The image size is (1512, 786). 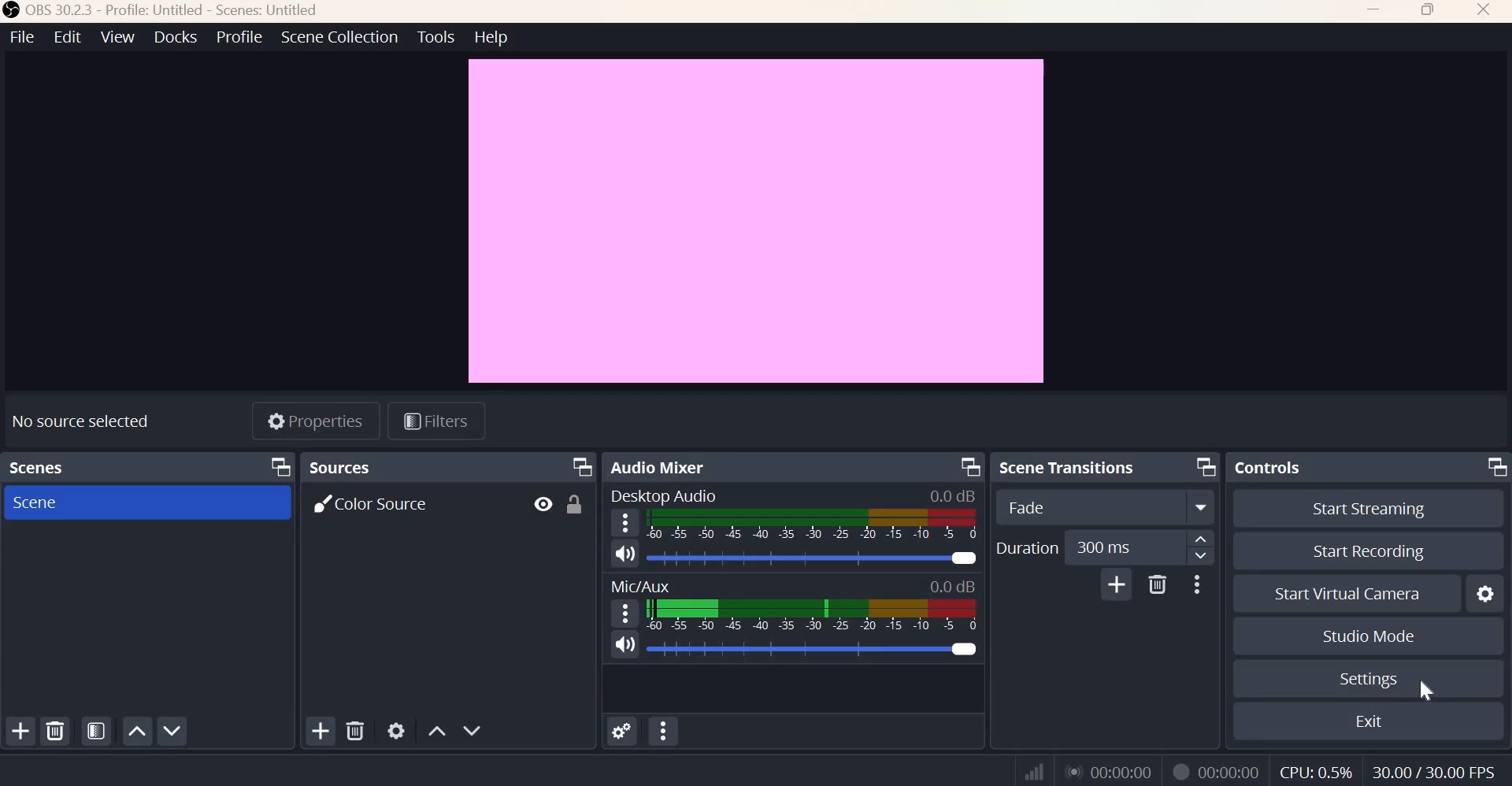 What do you see at coordinates (61, 502) in the screenshot?
I see `Scene` at bounding box center [61, 502].